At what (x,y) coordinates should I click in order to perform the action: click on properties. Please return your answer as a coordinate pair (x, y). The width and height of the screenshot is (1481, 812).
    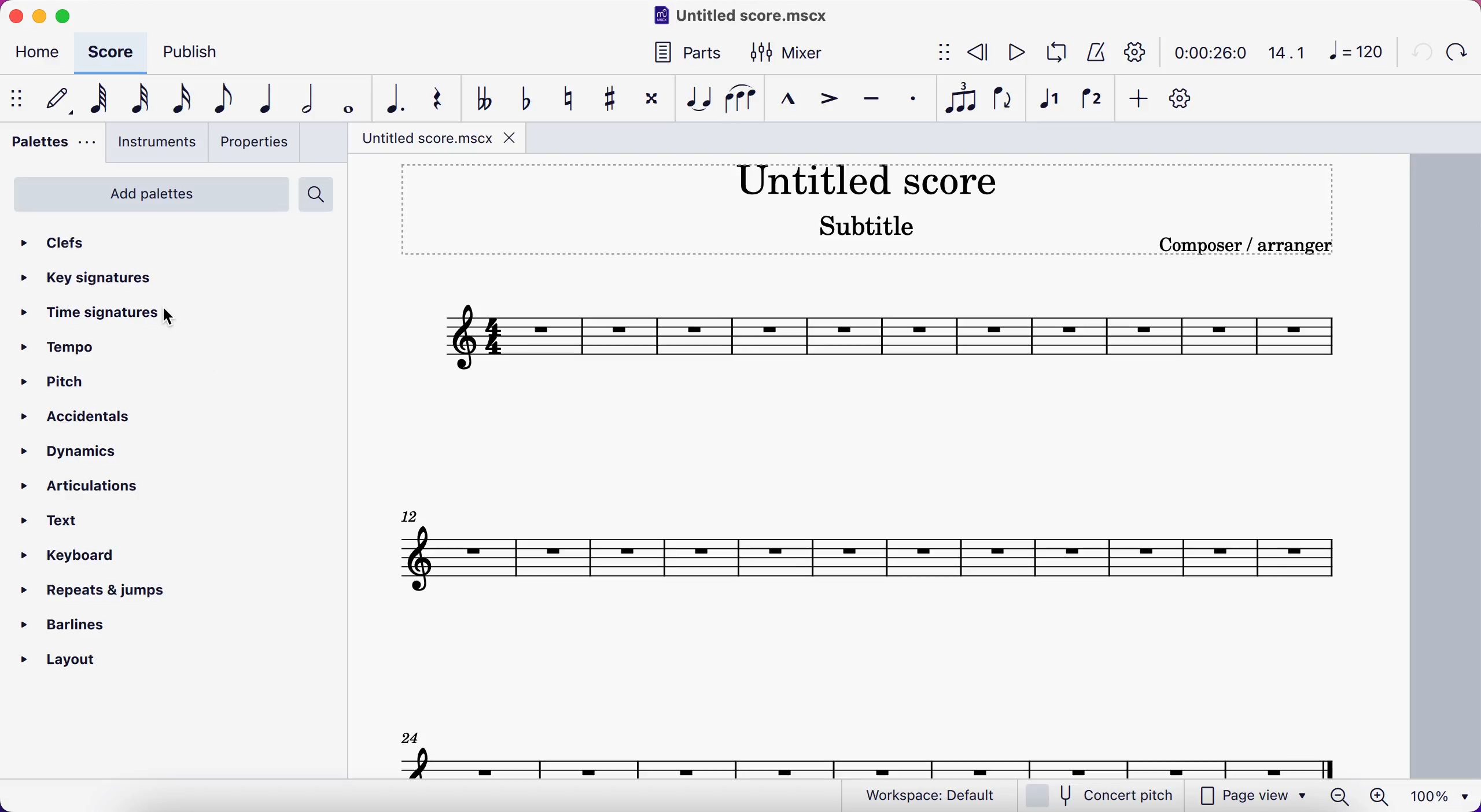
    Looking at the image, I should click on (256, 142).